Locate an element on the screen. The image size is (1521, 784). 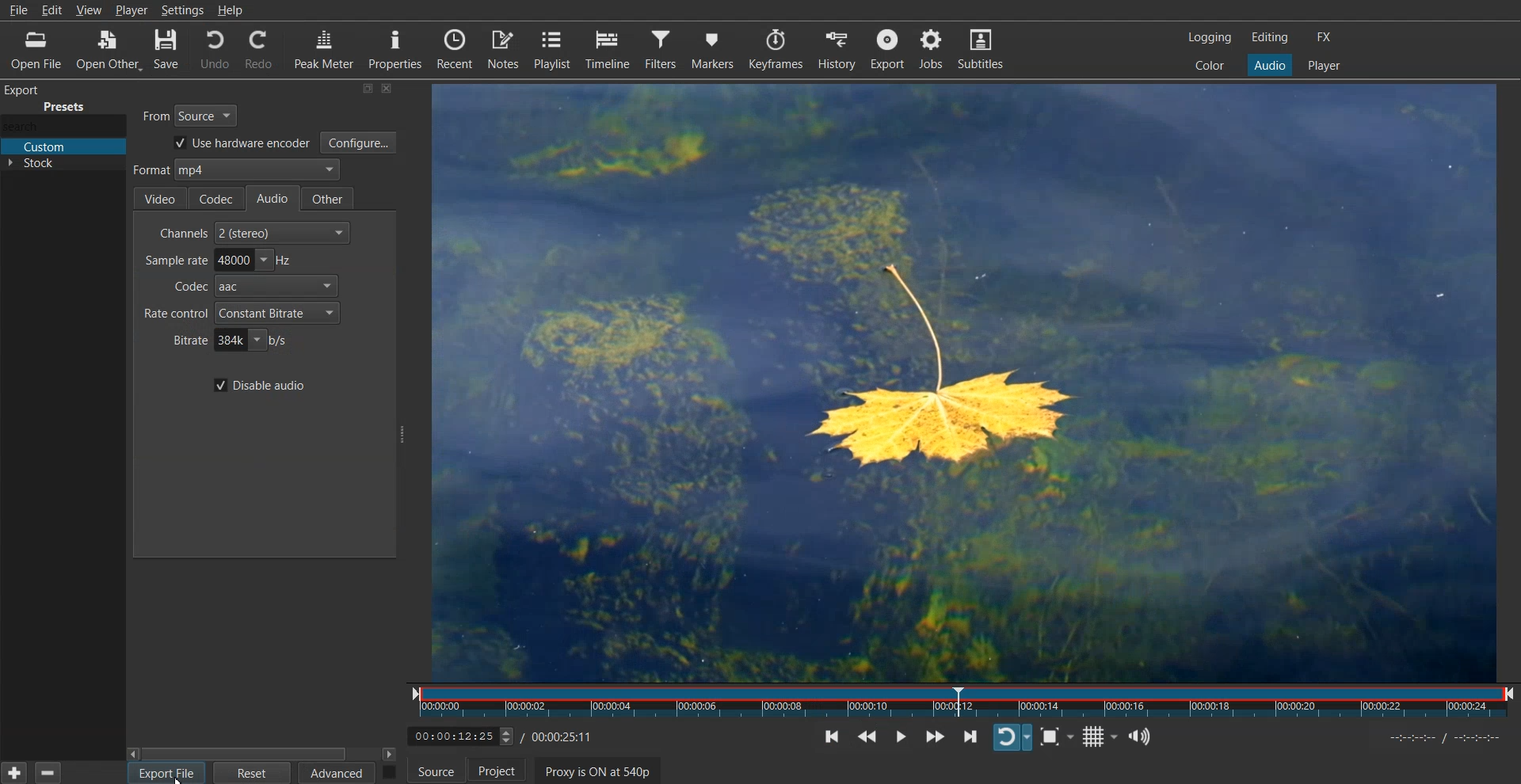
Toggle player looping is located at coordinates (1012, 736).